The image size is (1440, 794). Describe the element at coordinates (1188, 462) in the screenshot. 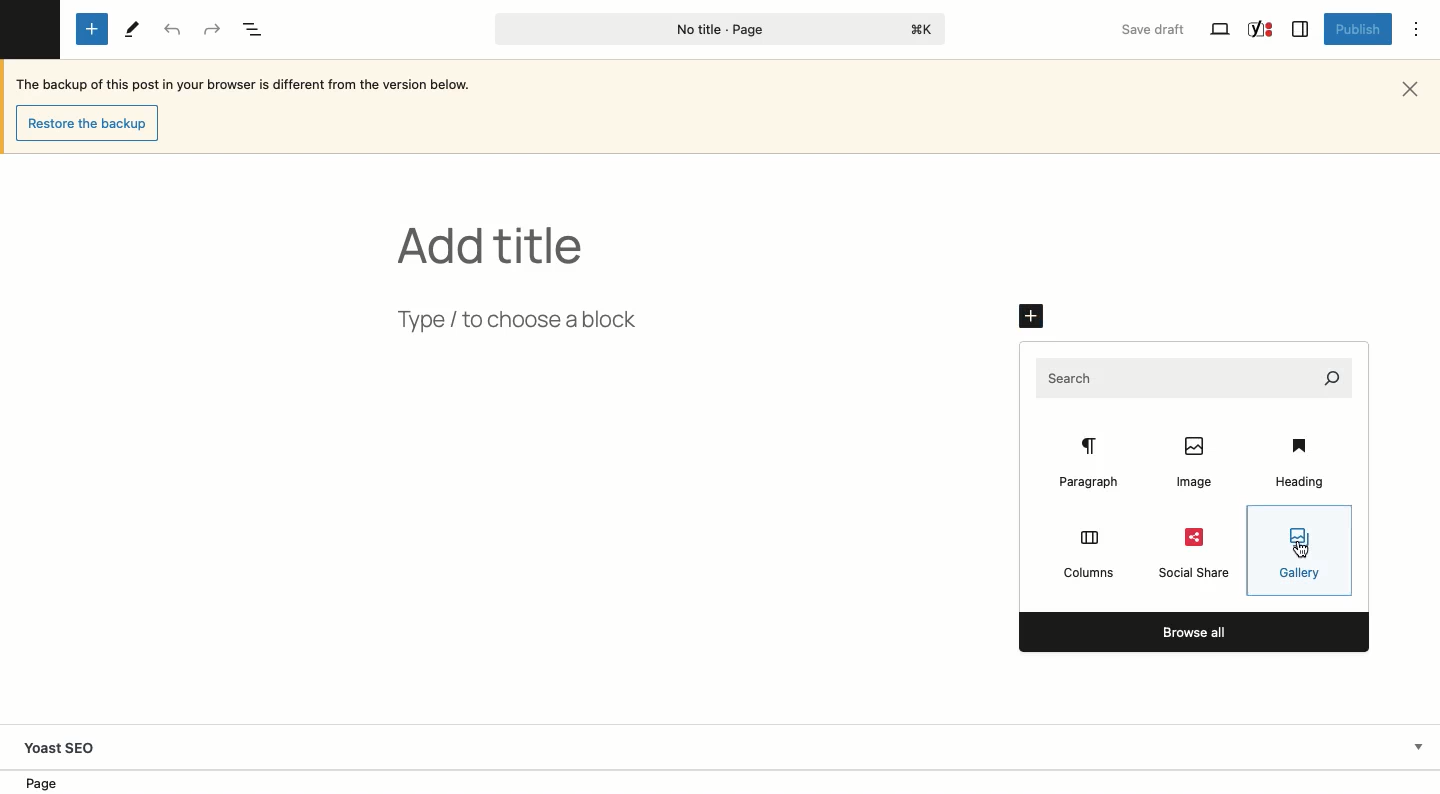

I see `Image` at that location.